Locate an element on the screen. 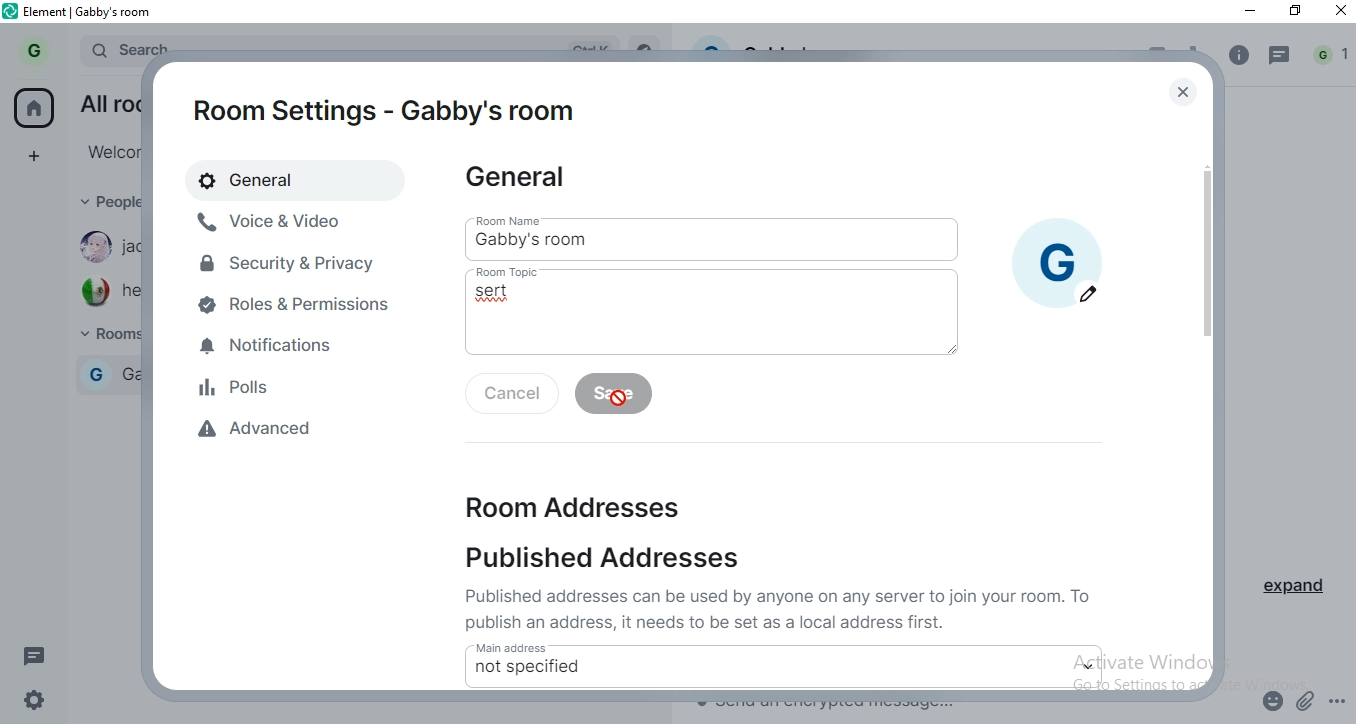 The image size is (1356, 724). edit is located at coordinates (1089, 294).